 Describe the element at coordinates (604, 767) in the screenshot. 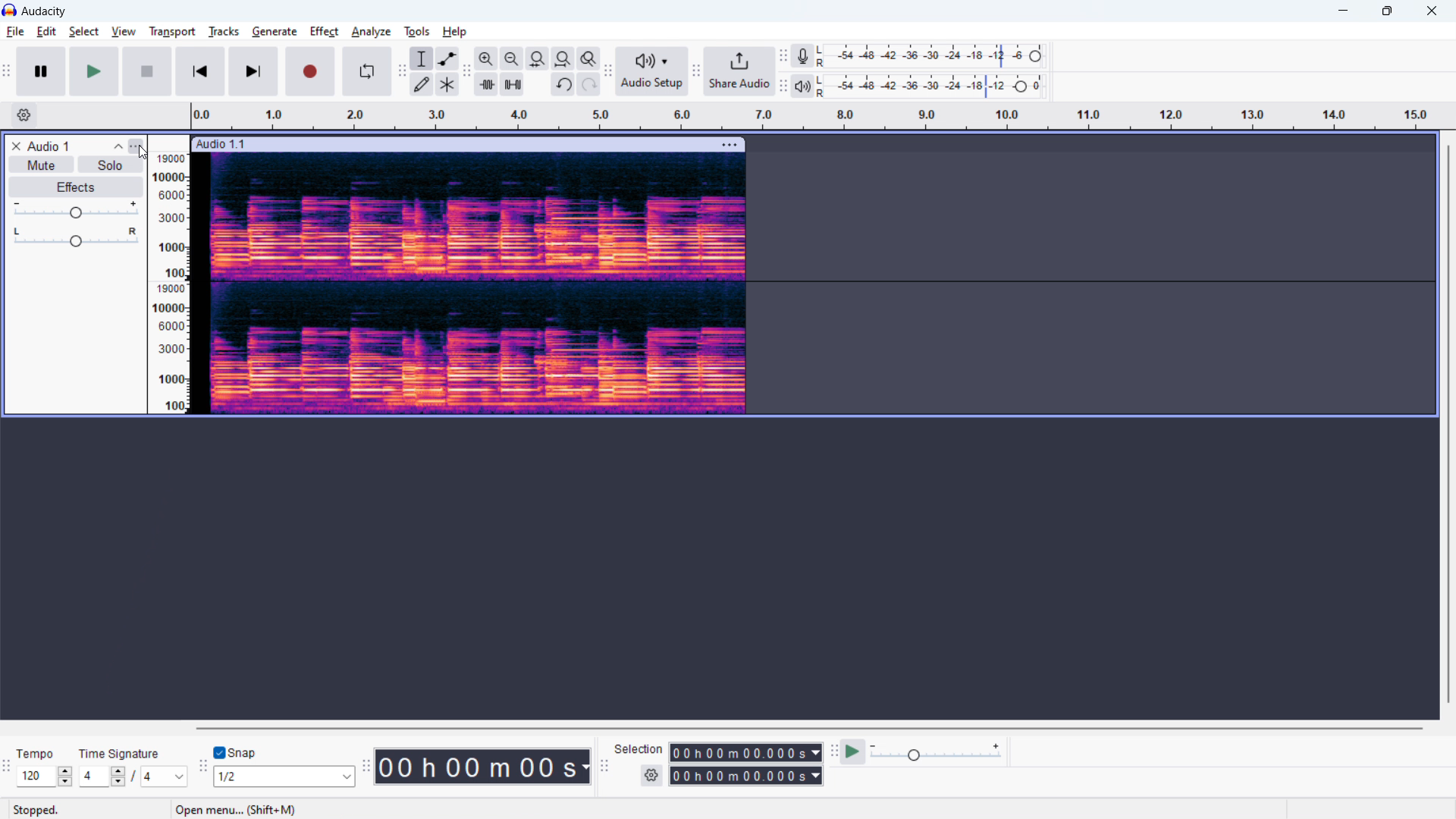

I see `selection toolbar` at that location.